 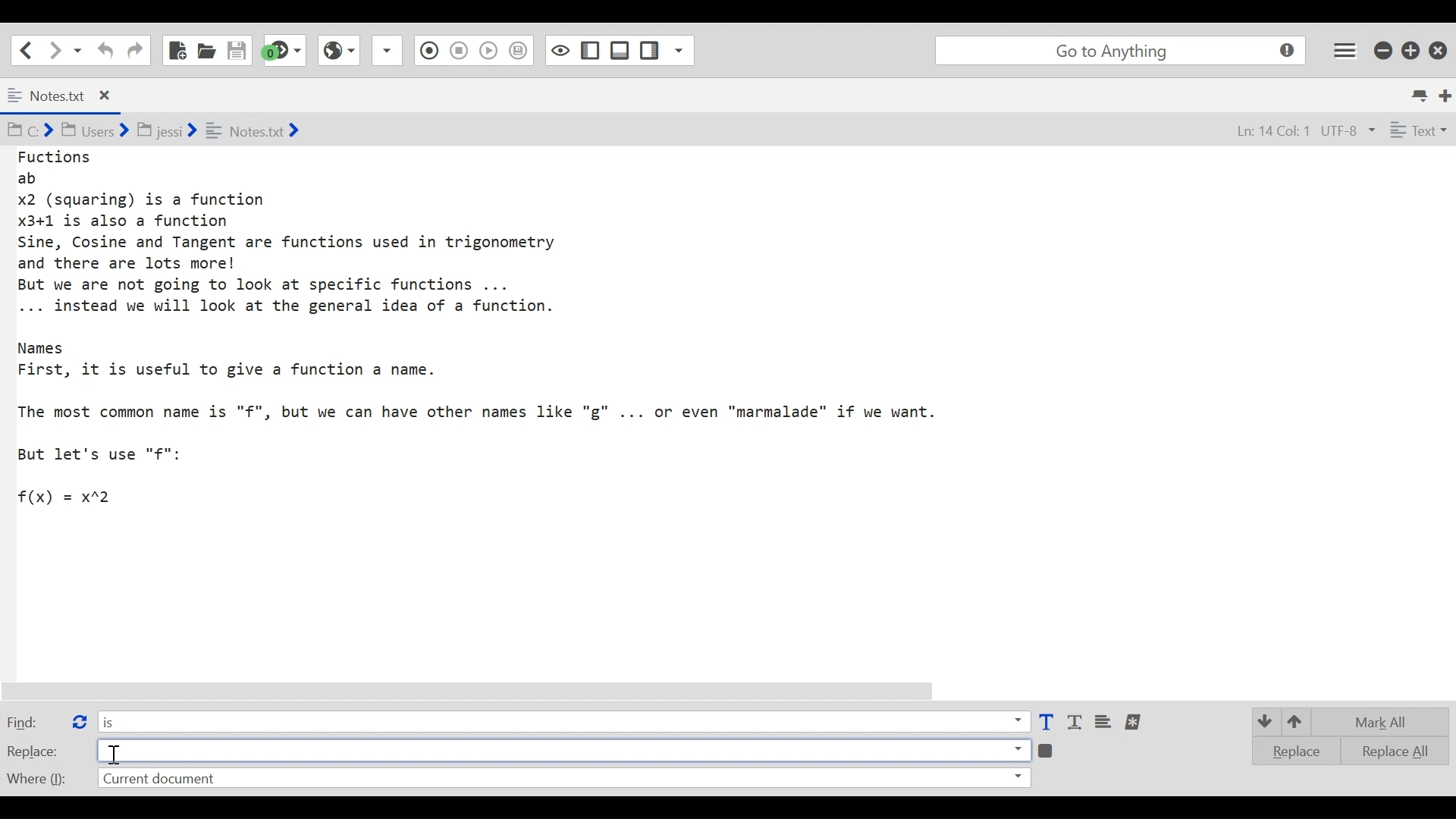 I want to click on Replace, so click(x=33, y=751).